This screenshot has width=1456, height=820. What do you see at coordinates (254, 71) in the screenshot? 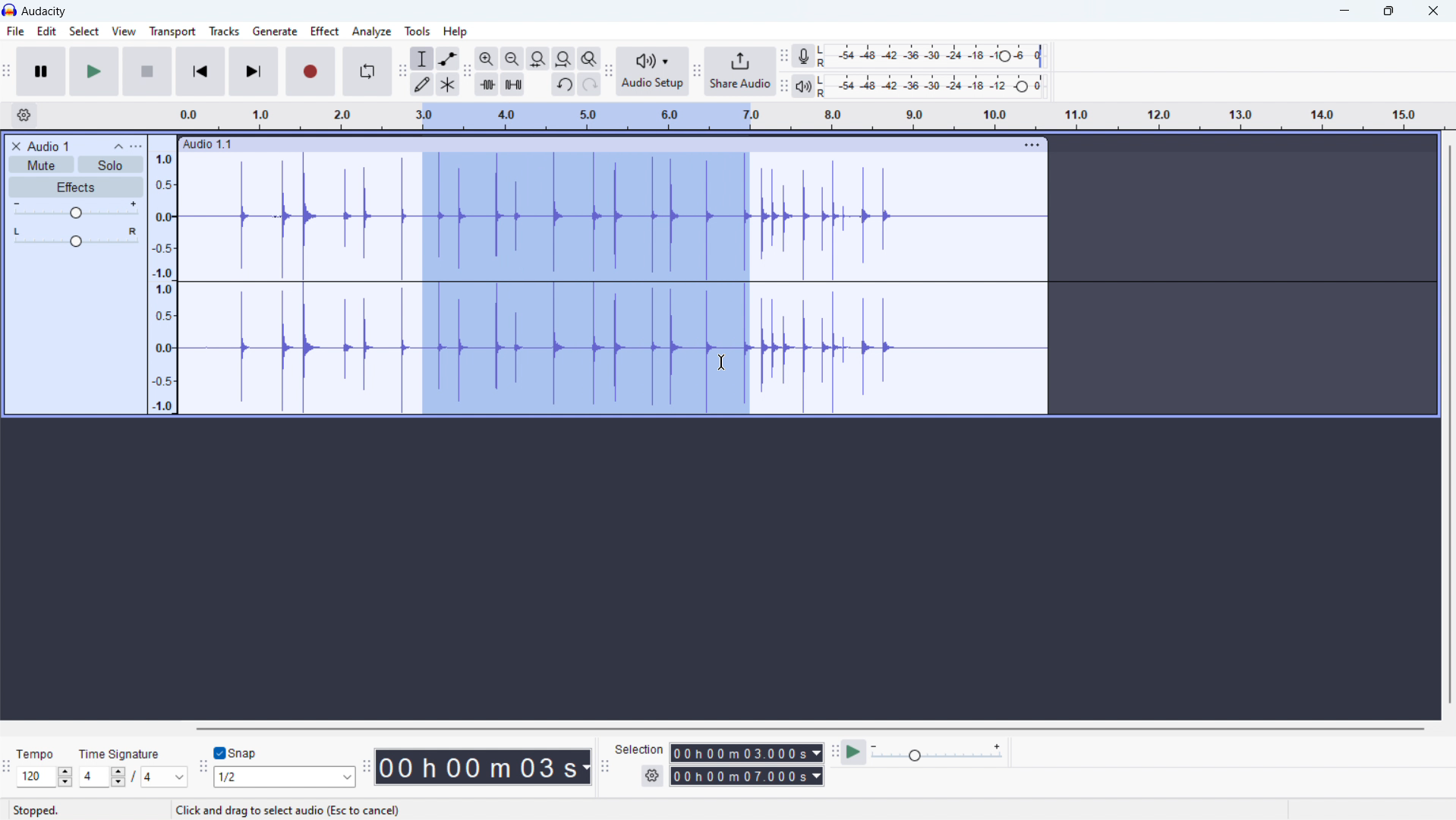
I see `skip to end` at bounding box center [254, 71].